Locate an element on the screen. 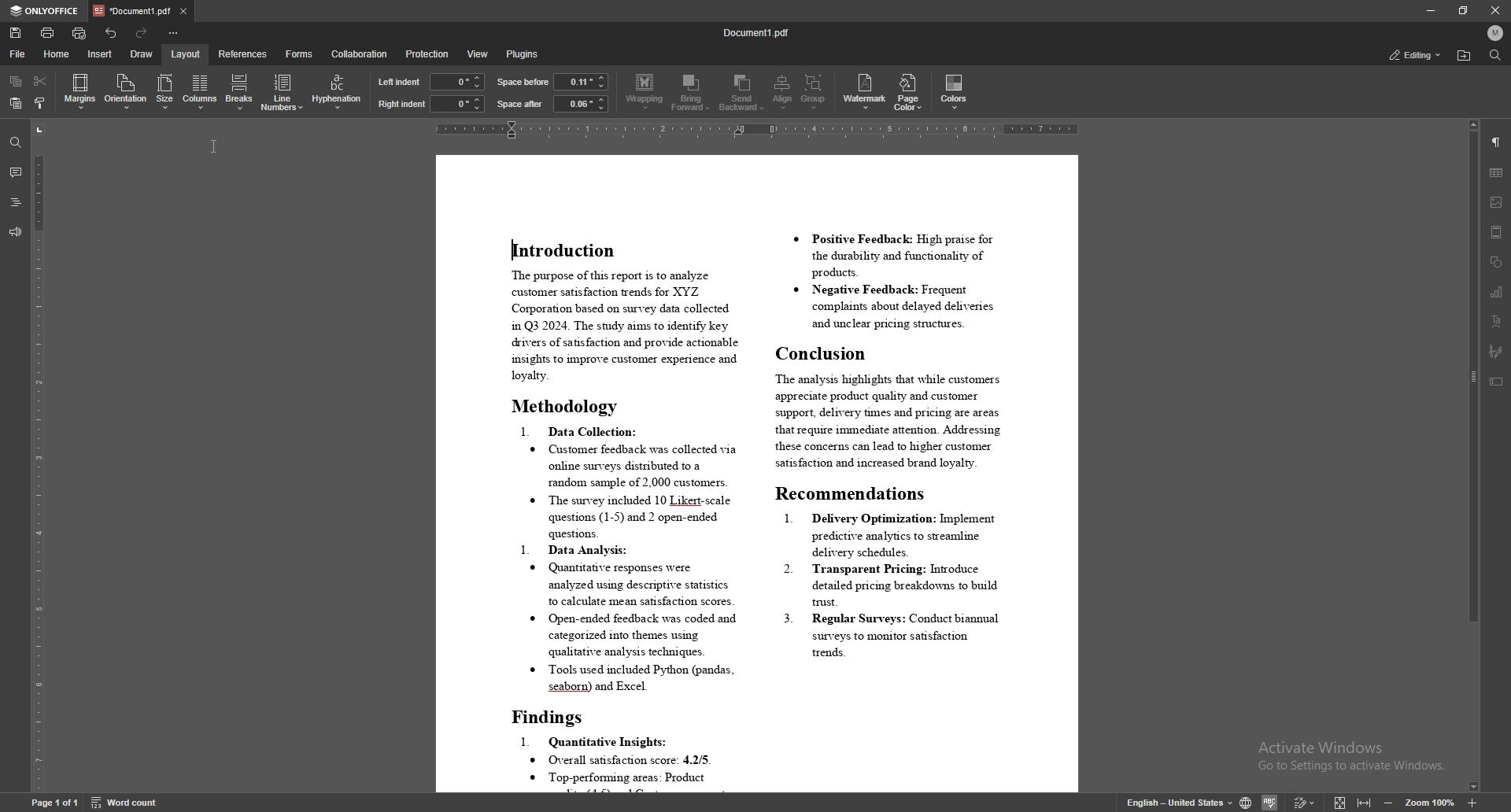 The height and width of the screenshot is (812, 1511). feedback is located at coordinates (16, 232).